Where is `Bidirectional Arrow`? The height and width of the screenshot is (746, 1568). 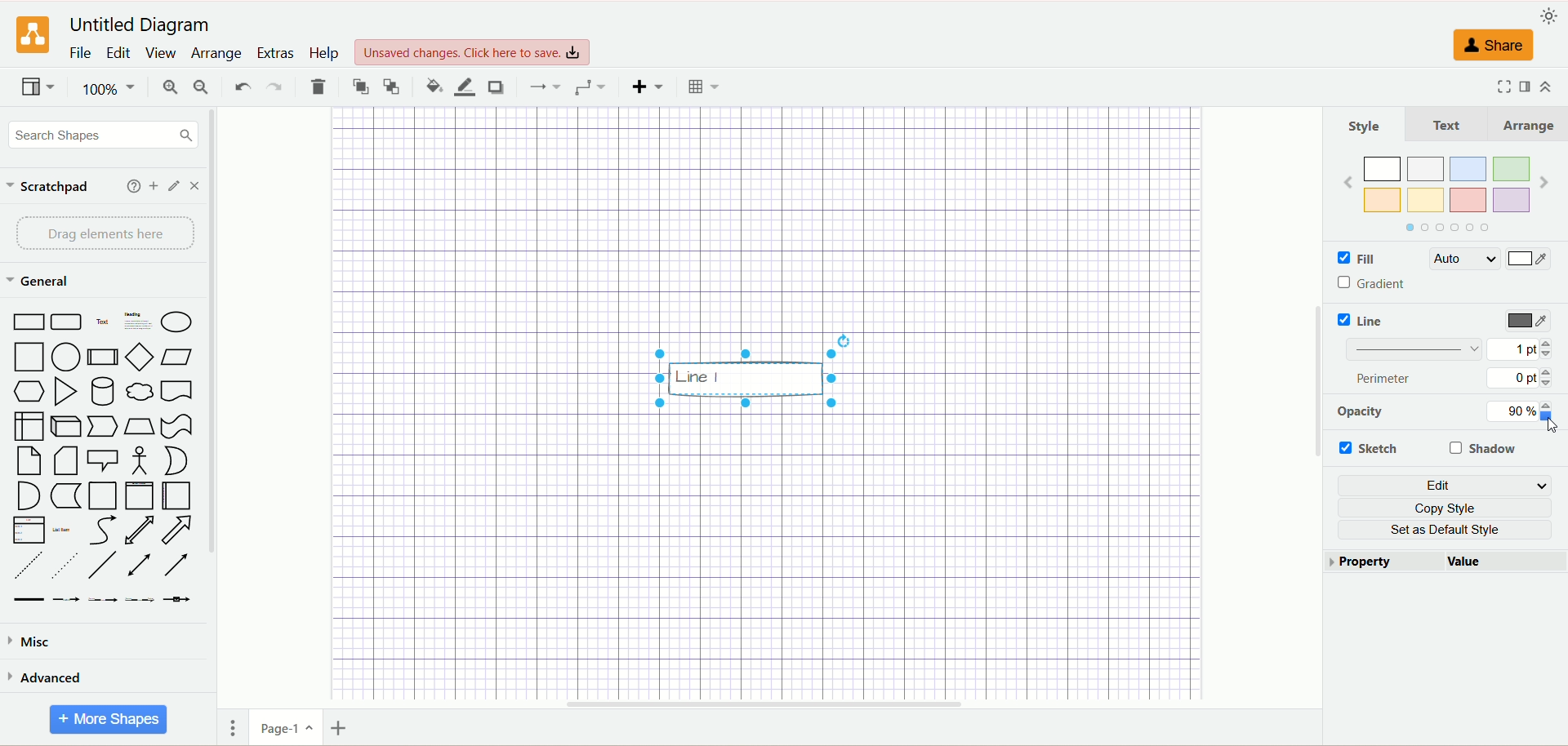 Bidirectional Arrow is located at coordinates (140, 531).